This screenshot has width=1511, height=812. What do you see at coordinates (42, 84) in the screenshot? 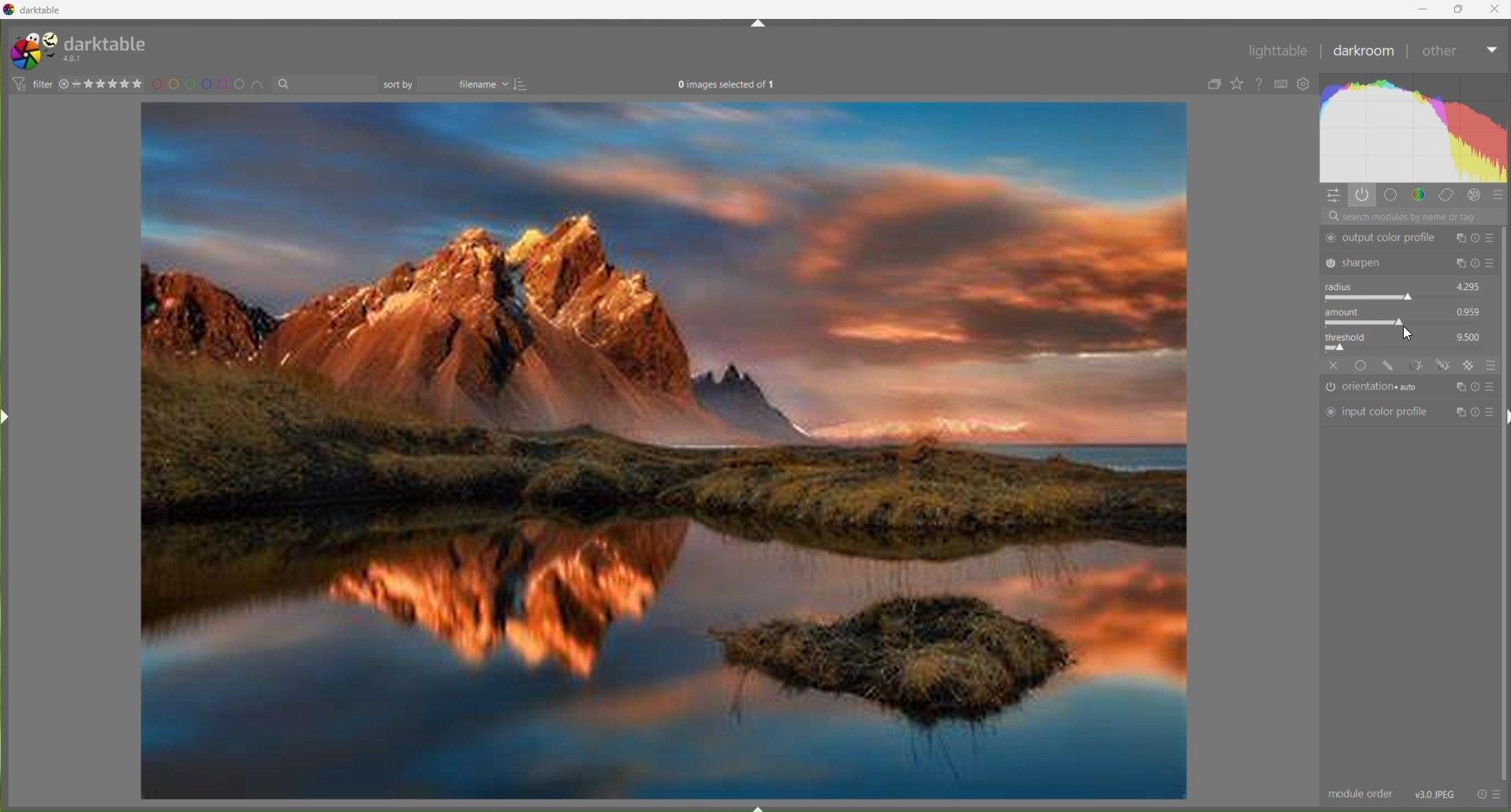
I see `filter` at bounding box center [42, 84].